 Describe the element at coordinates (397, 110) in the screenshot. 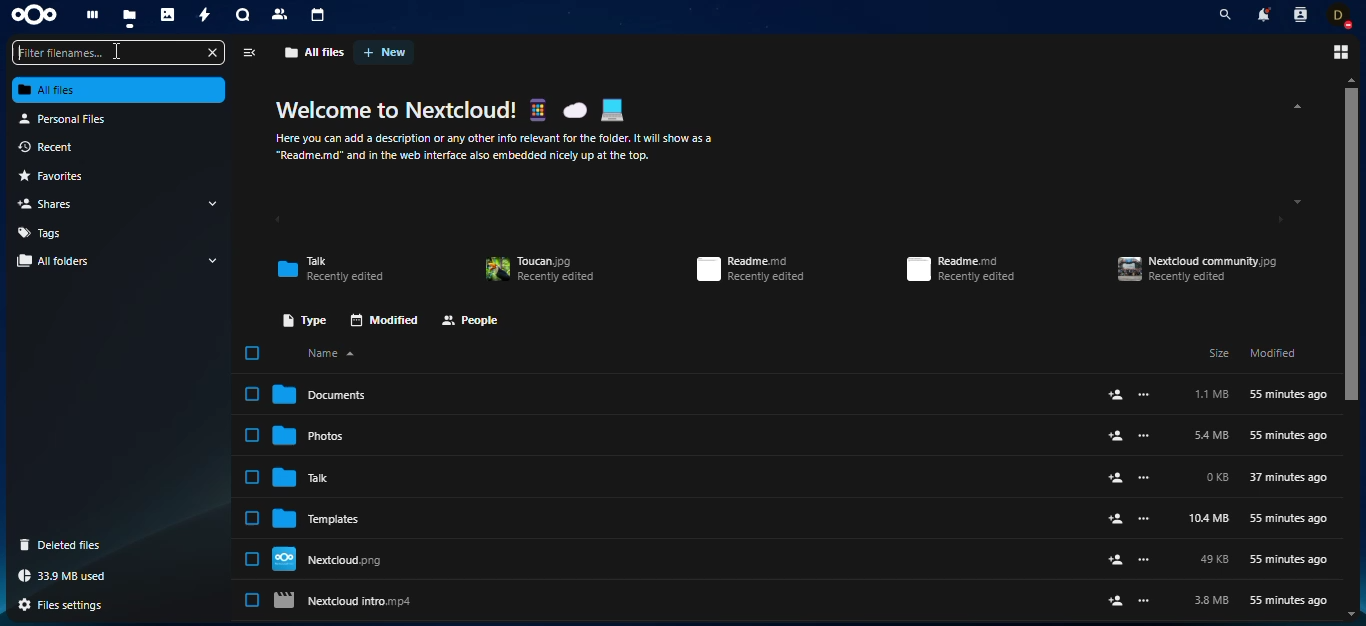

I see `Welcome to Nextcloud!` at that location.